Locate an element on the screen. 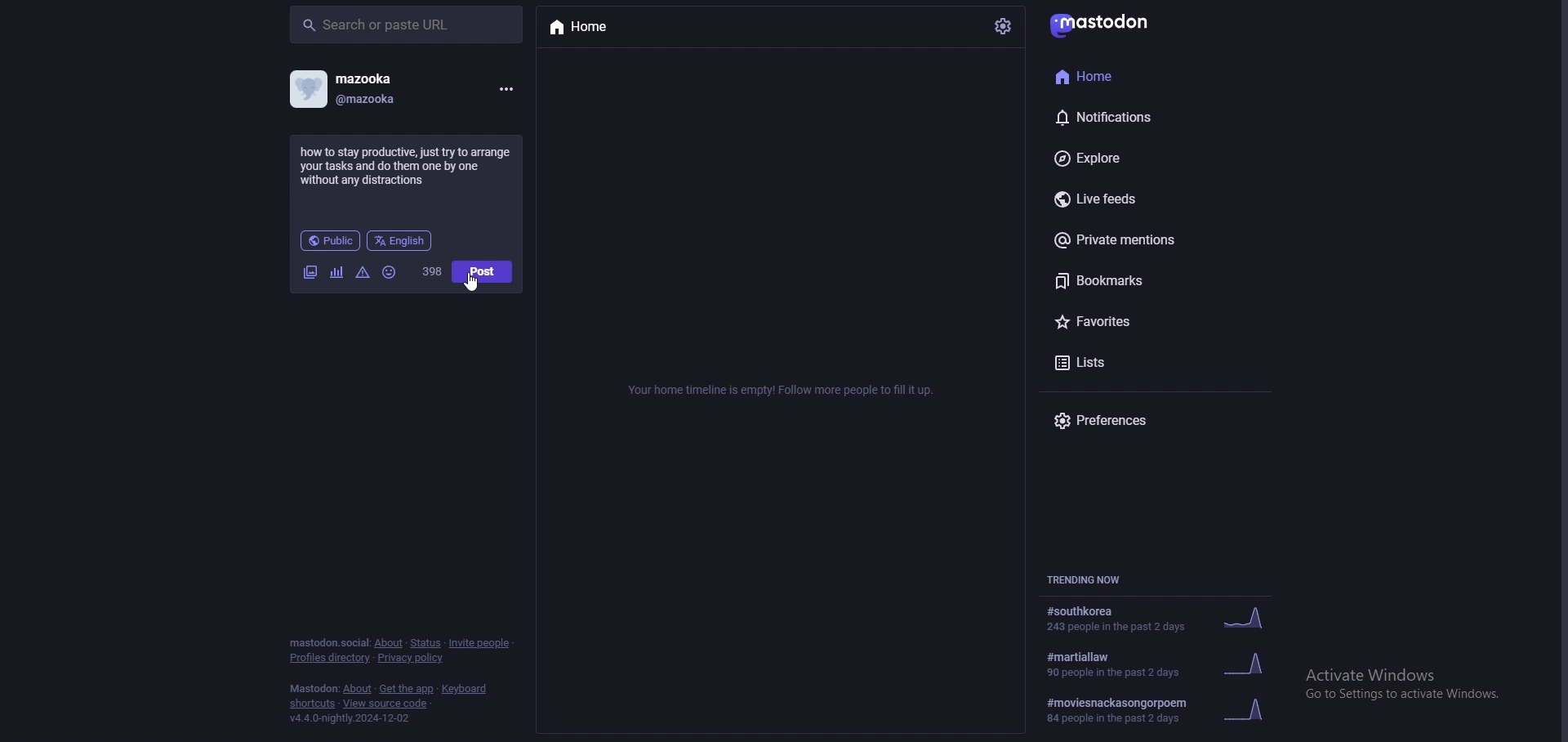  version is located at coordinates (356, 719).